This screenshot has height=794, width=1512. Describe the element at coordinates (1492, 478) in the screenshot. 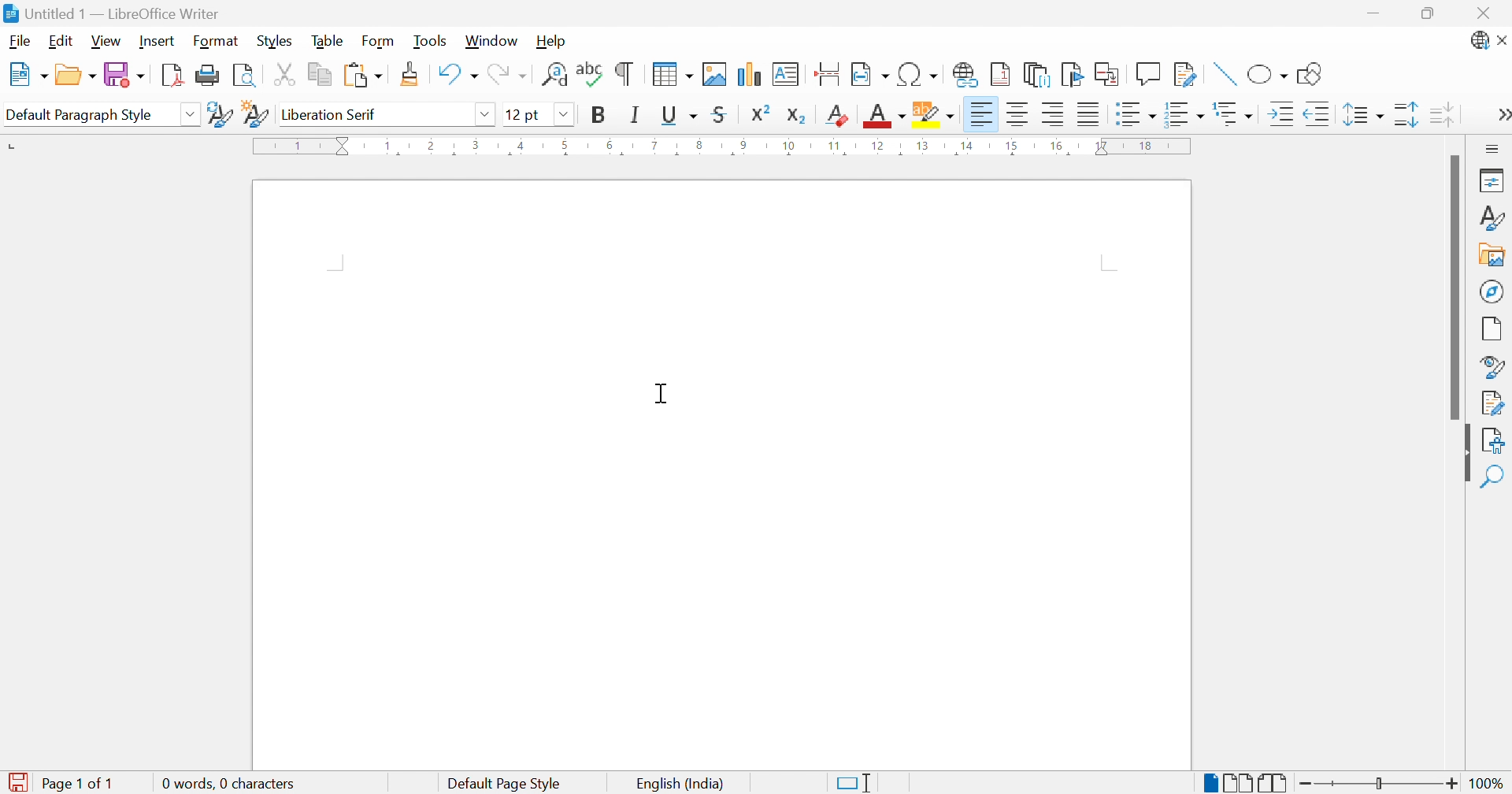

I see `Find` at that location.